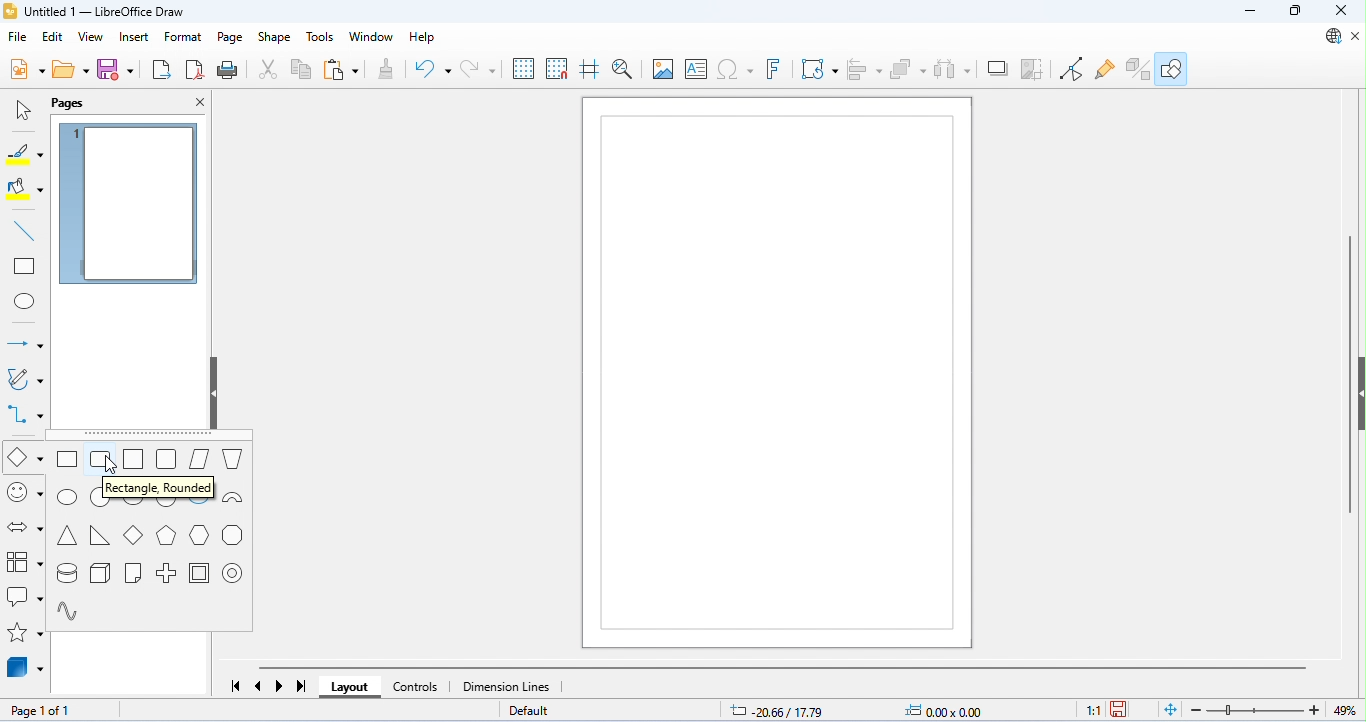 This screenshot has height=722, width=1366. What do you see at coordinates (166, 535) in the screenshot?
I see `pentagon` at bounding box center [166, 535].